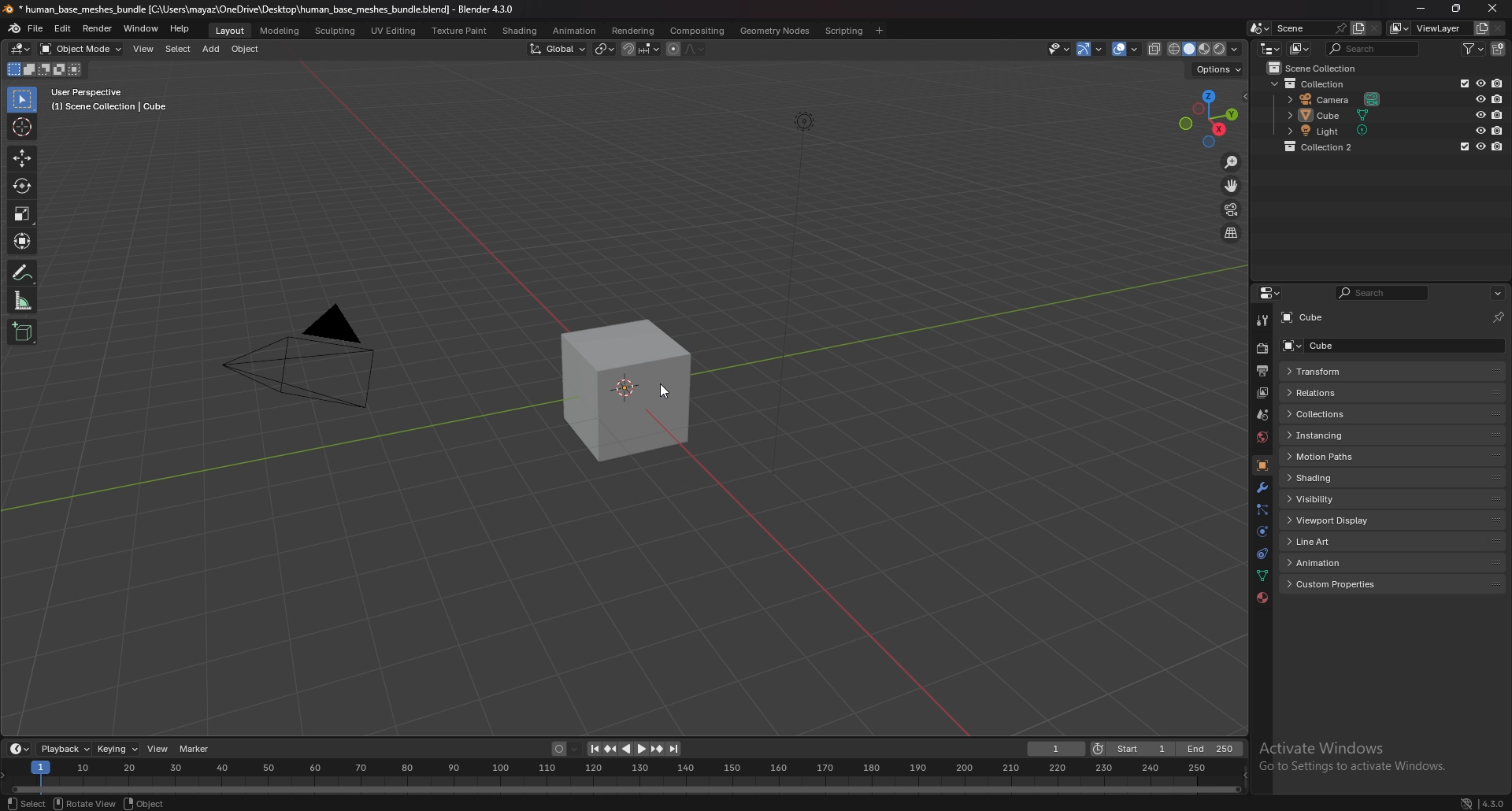 The width and height of the screenshot is (1512, 811). What do you see at coordinates (641, 49) in the screenshot?
I see `snapping` at bounding box center [641, 49].